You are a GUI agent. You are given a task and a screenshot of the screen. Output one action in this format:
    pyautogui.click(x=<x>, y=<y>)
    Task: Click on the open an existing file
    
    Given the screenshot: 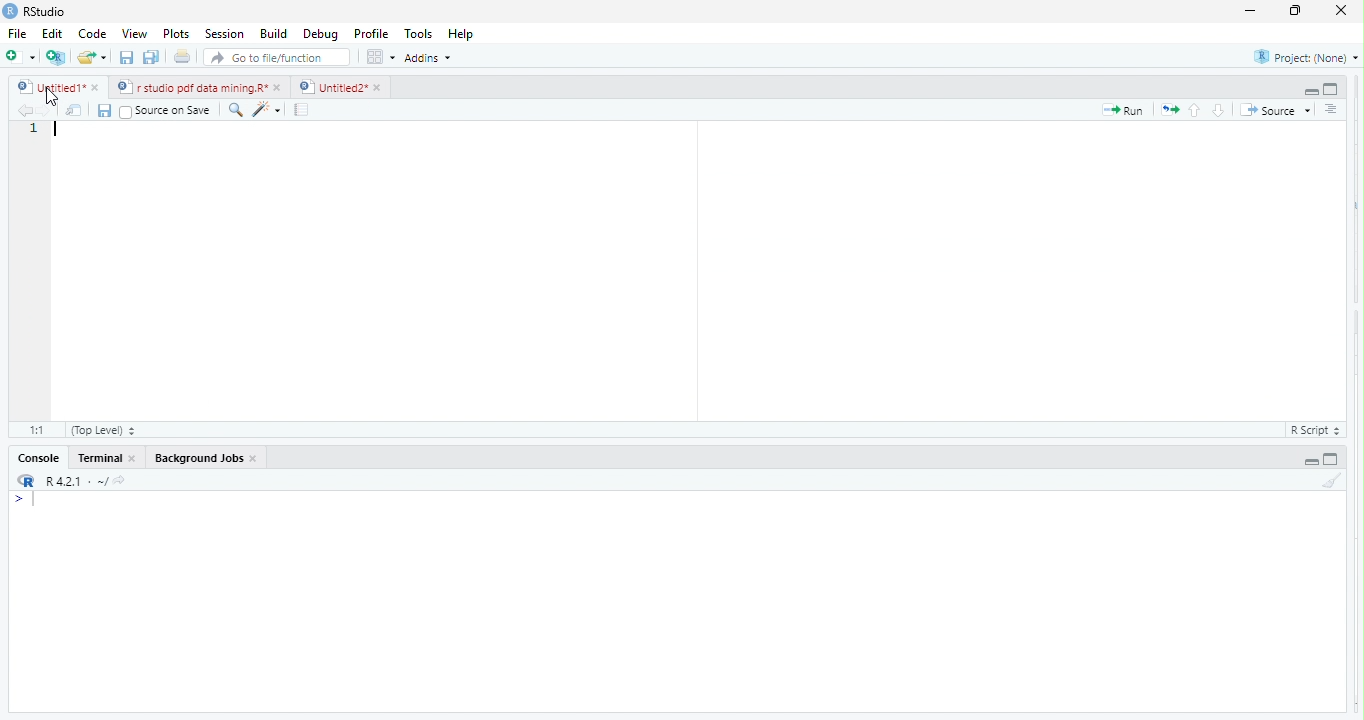 What is the action you would take?
    pyautogui.click(x=93, y=56)
    